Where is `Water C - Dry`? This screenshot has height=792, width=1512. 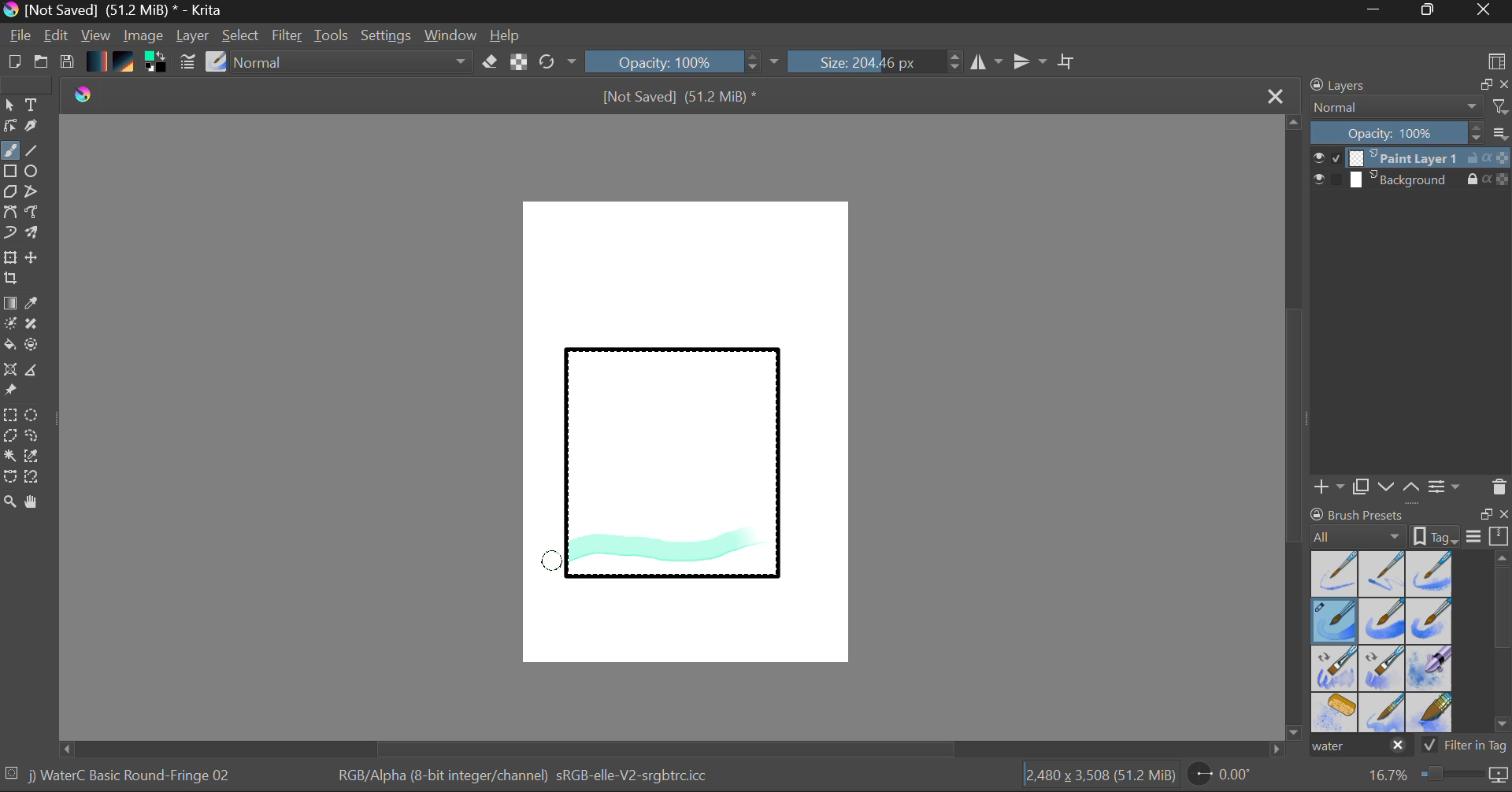
Water C - Dry is located at coordinates (1336, 572).